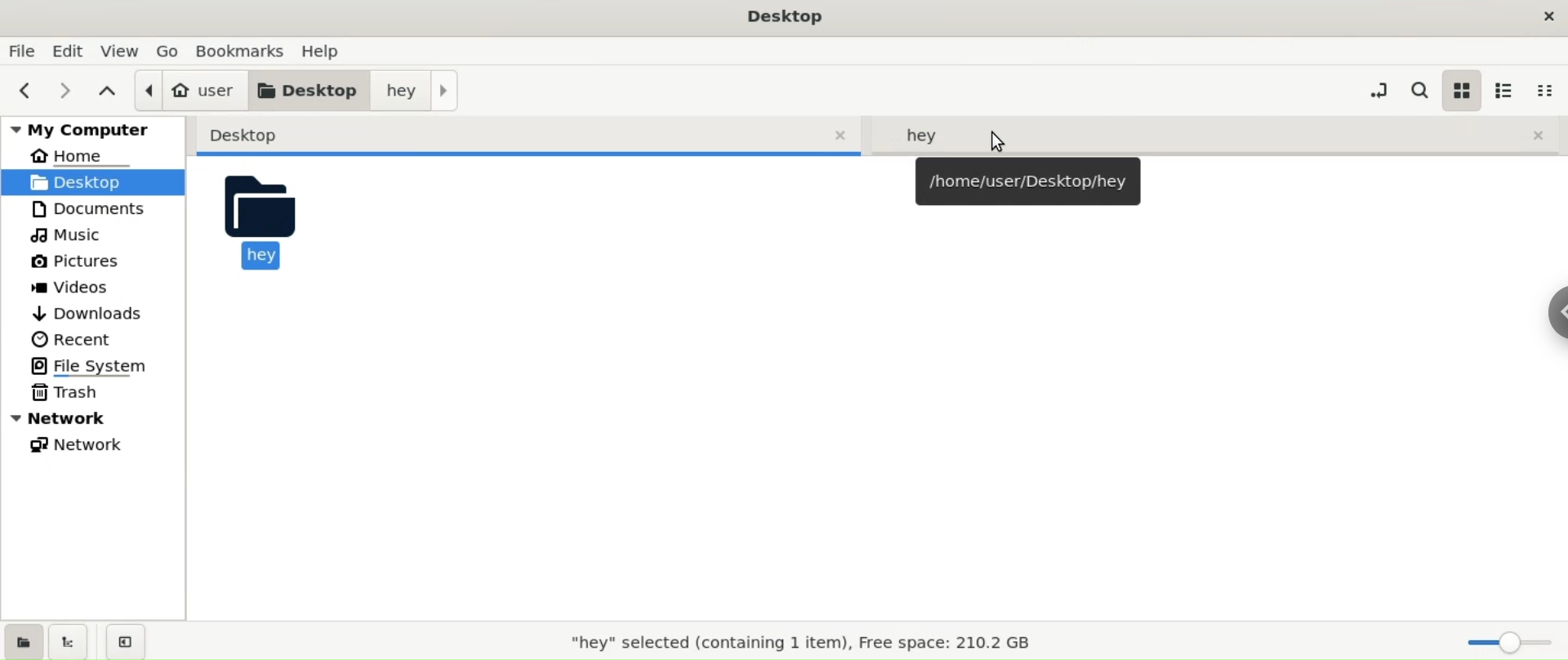 This screenshot has height=660, width=1568. I want to click on help, so click(328, 51).